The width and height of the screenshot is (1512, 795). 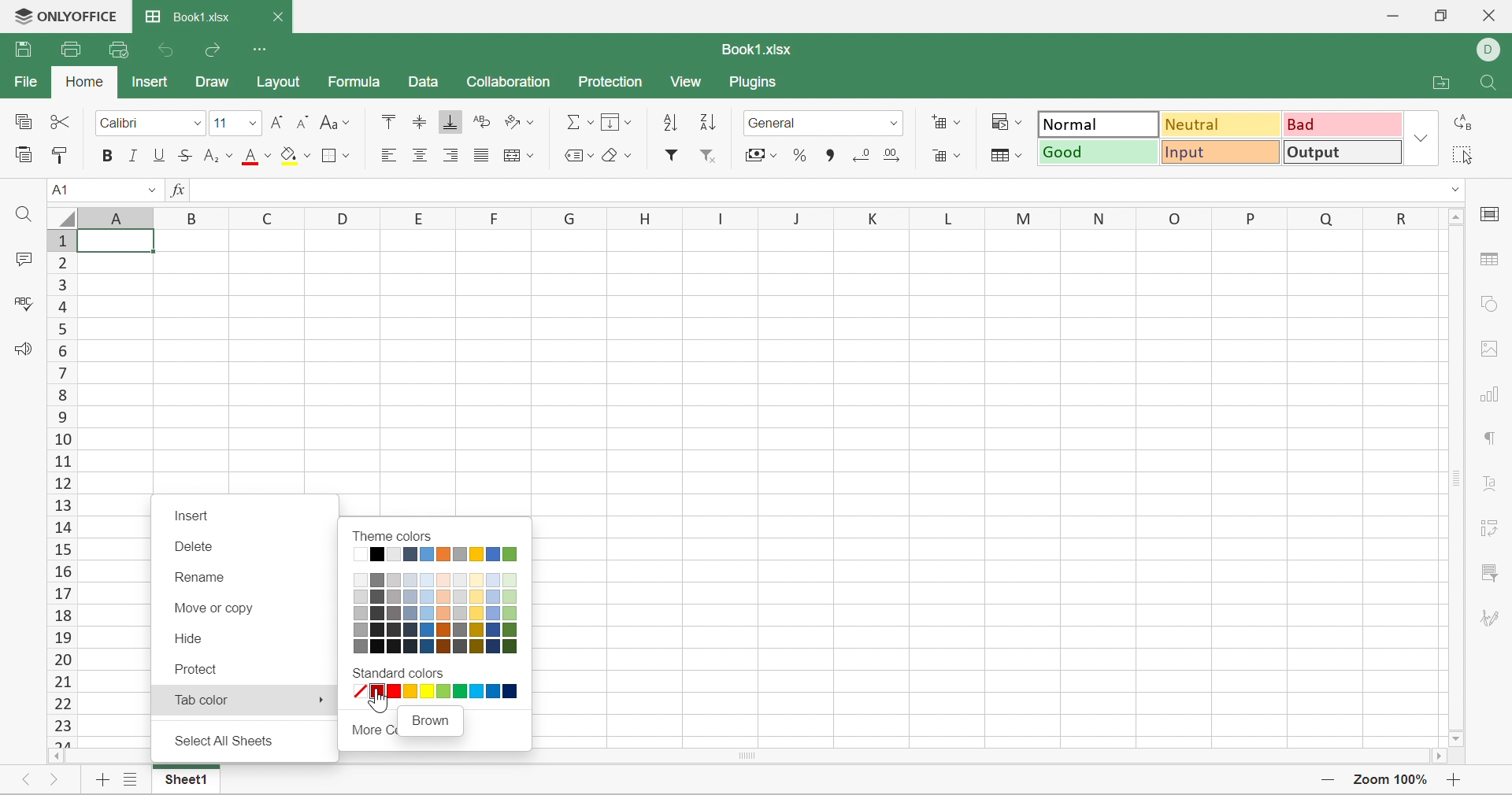 What do you see at coordinates (65, 124) in the screenshot?
I see `Cut` at bounding box center [65, 124].